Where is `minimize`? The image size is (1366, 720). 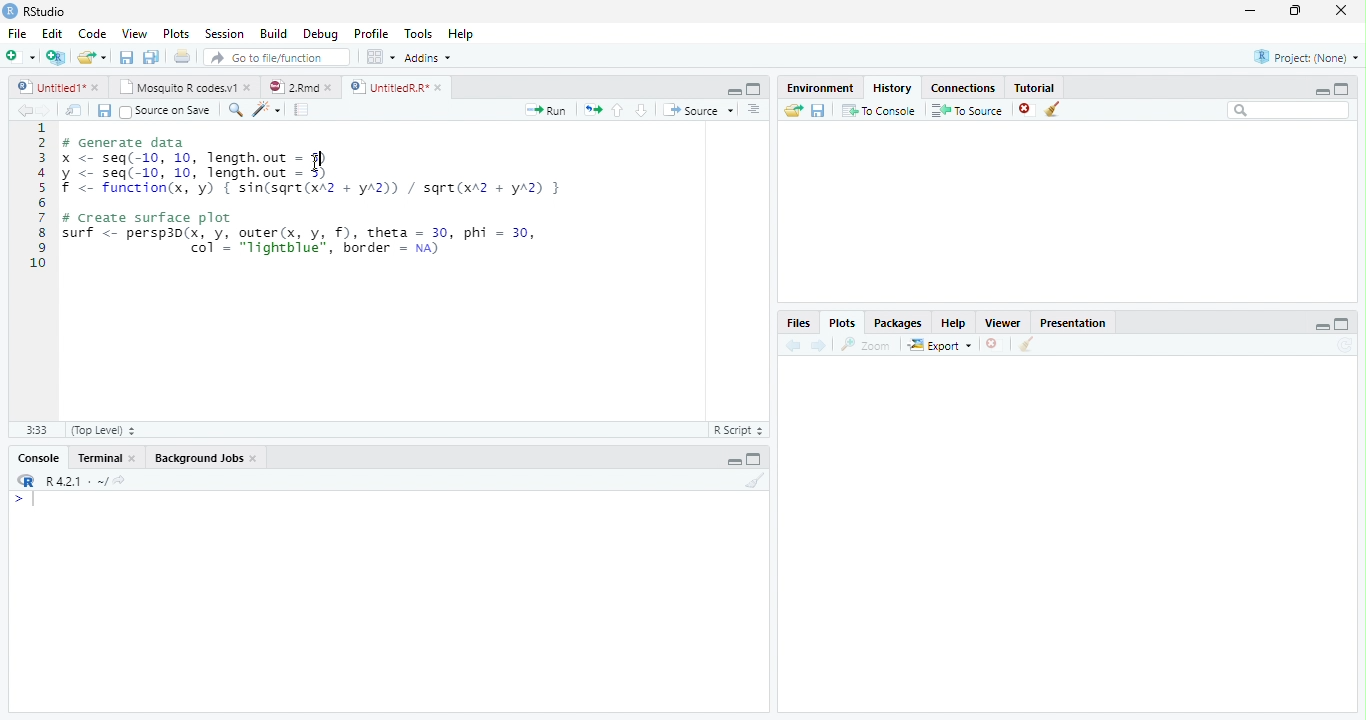
minimize is located at coordinates (1322, 91).